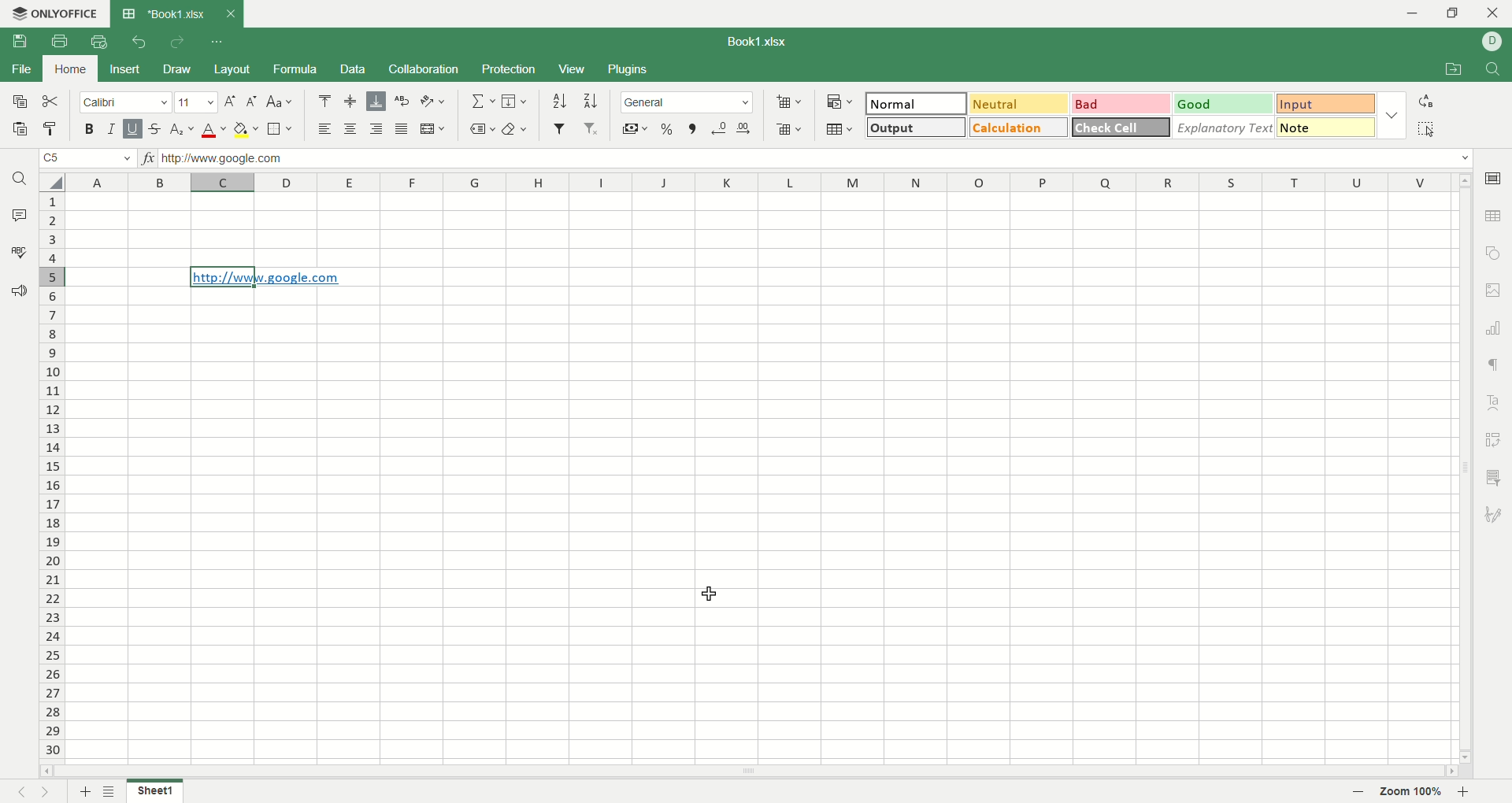 Image resolution: width=1512 pixels, height=803 pixels. I want to click on cell name, so click(86, 160).